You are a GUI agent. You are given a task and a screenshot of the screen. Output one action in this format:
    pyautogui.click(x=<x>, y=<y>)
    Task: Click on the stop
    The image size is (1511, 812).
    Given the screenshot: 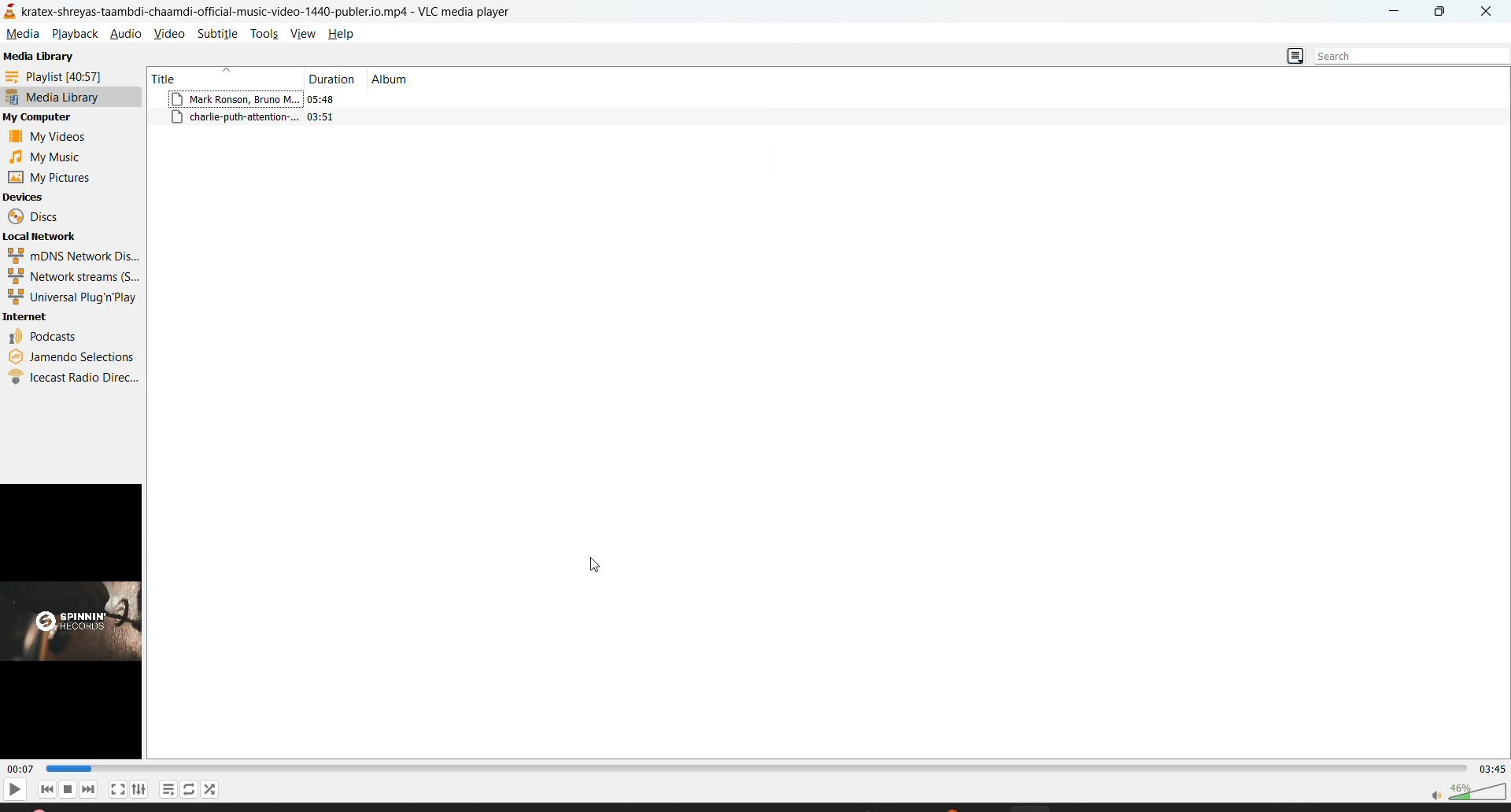 What is the action you would take?
    pyautogui.click(x=68, y=789)
    